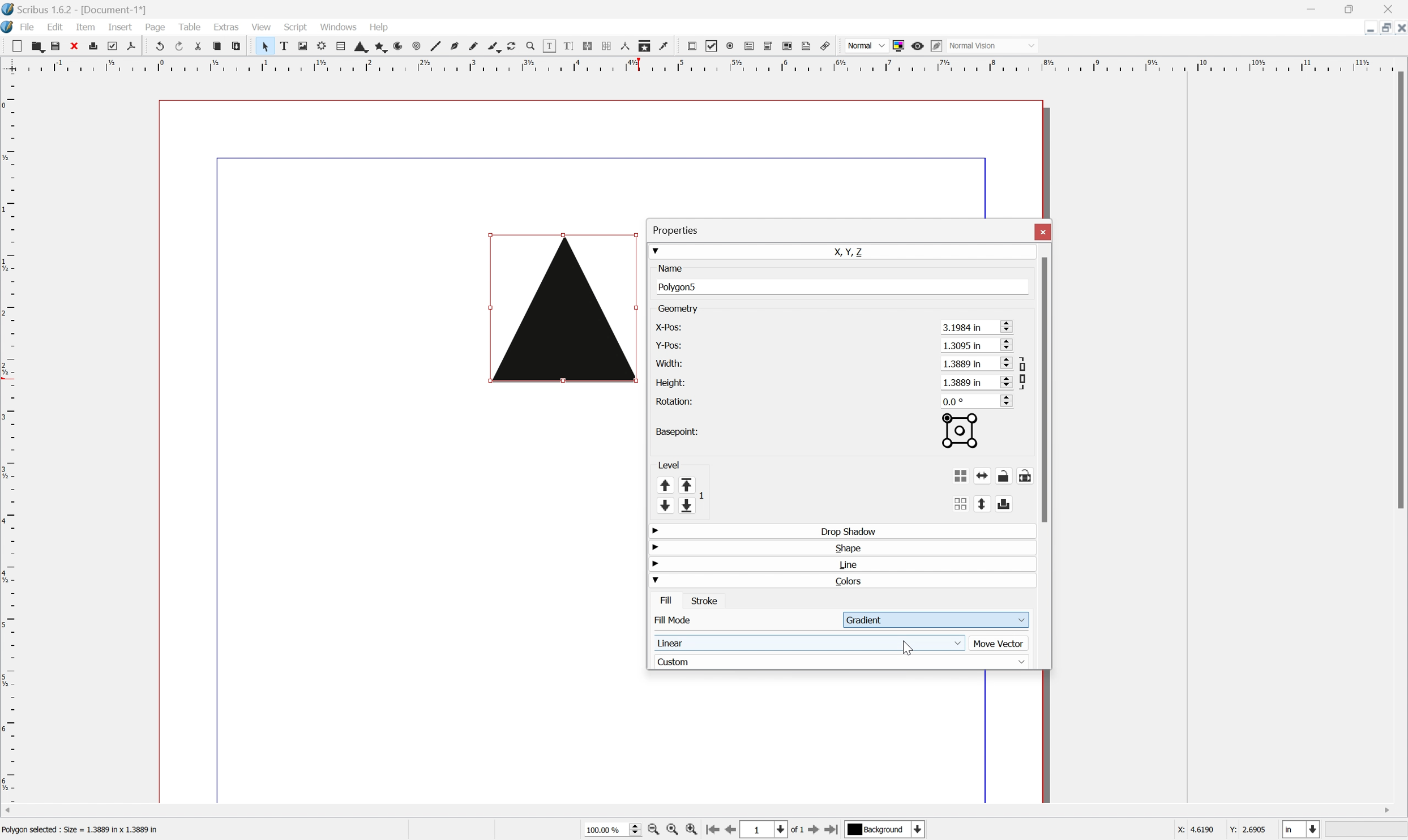 This screenshot has height=840, width=1408. What do you see at coordinates (854, 547) in the screenshot?
I see `Shape` at bounding box center [854, 547].